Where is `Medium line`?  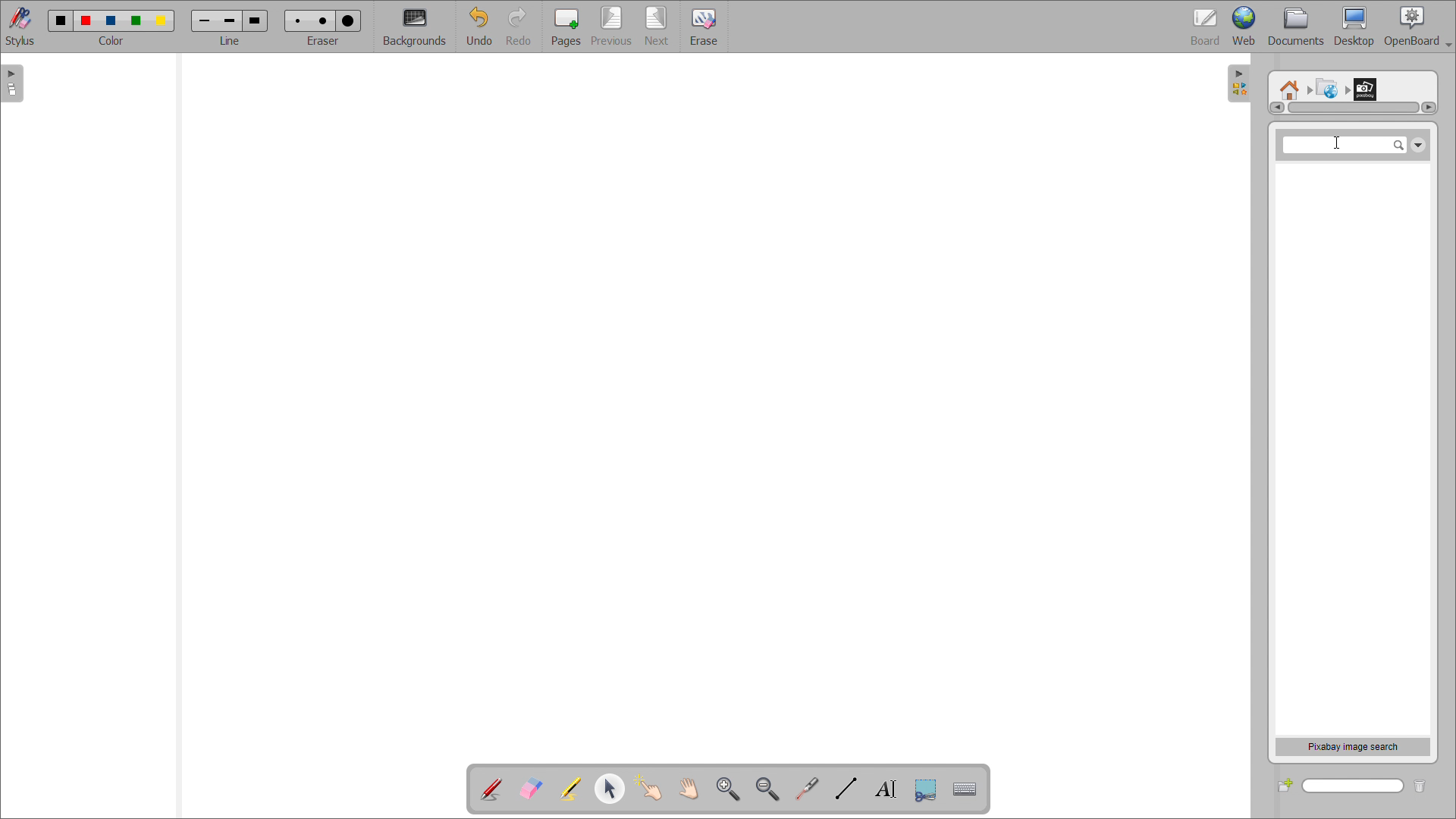 Medium line is located at coordinates (231, 20).